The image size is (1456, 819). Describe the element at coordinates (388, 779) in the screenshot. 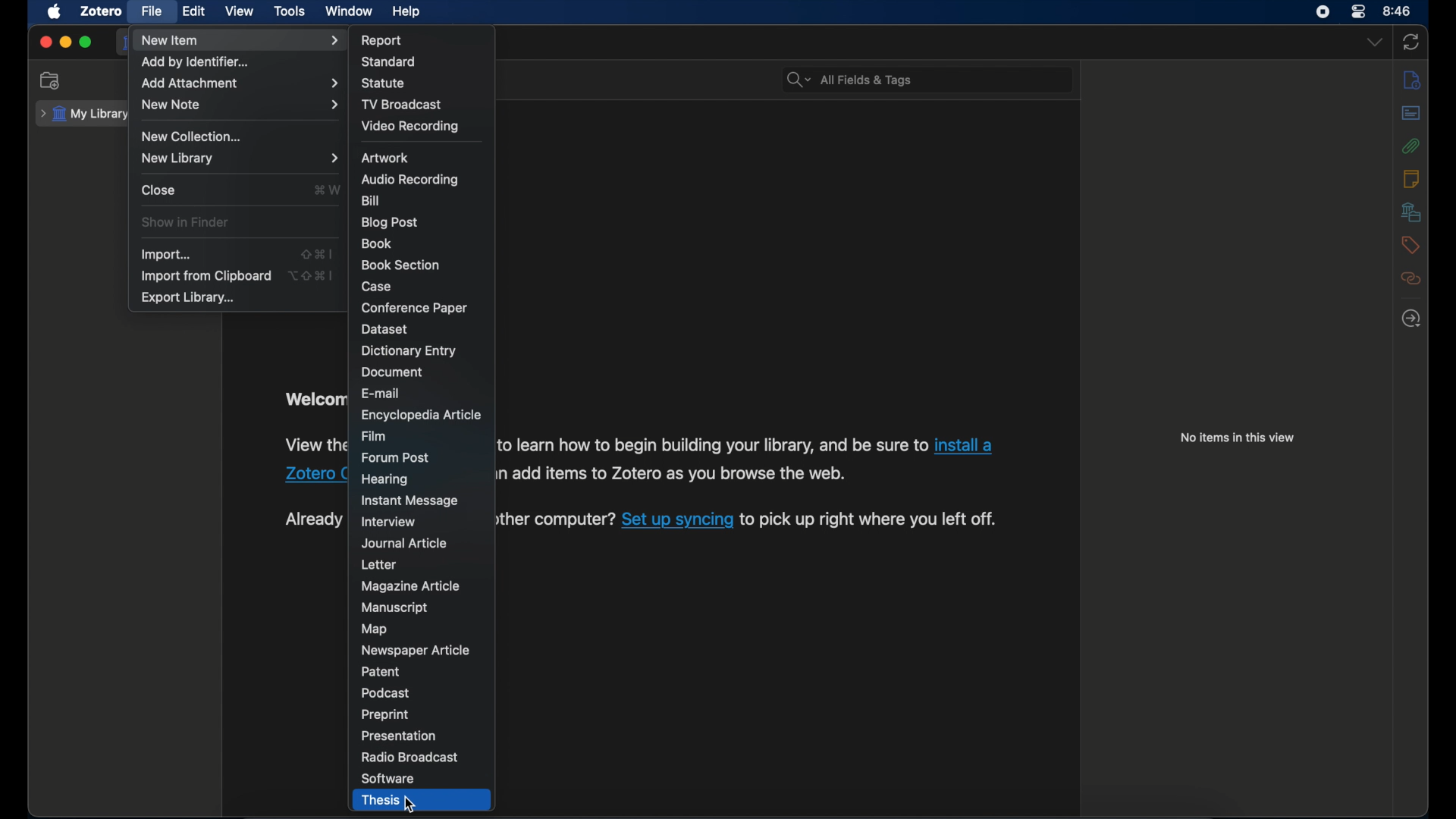

I see `software` at that location.